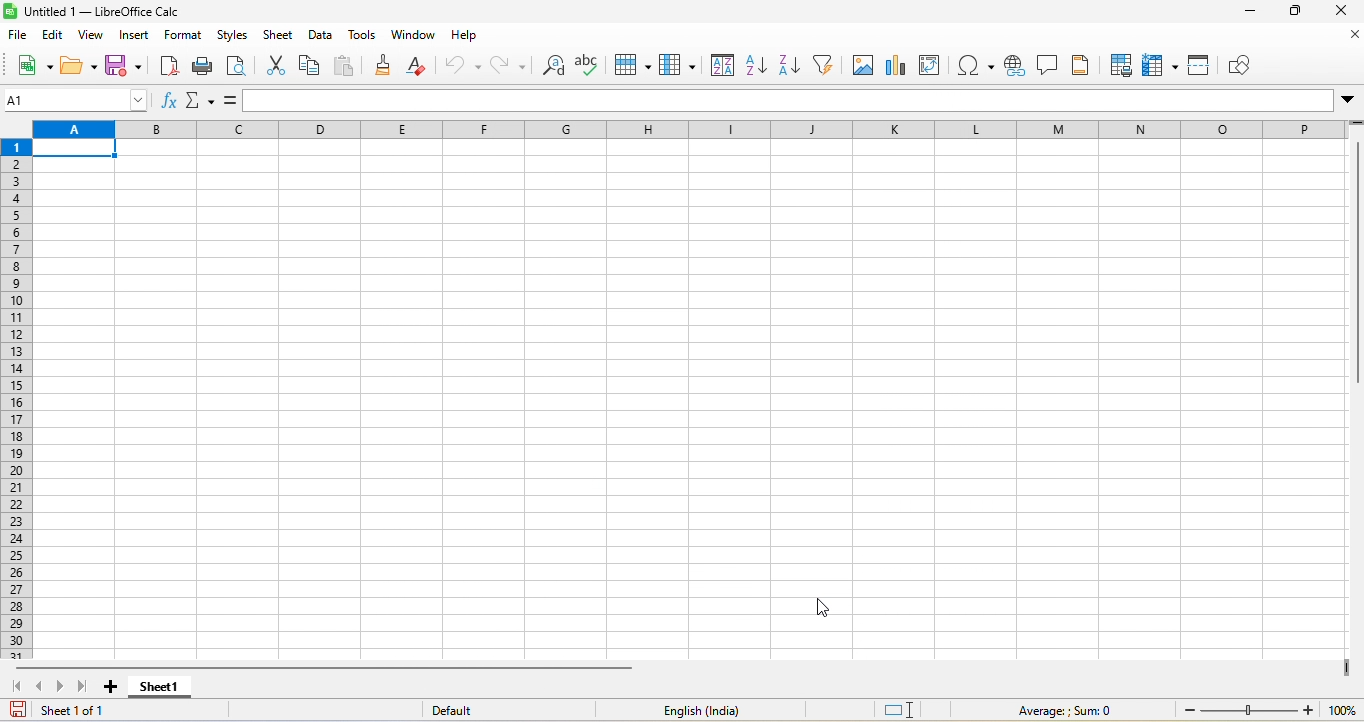 The width and height of the screenshot is (1364, 722). I want to click on close, so click(1338, 14).